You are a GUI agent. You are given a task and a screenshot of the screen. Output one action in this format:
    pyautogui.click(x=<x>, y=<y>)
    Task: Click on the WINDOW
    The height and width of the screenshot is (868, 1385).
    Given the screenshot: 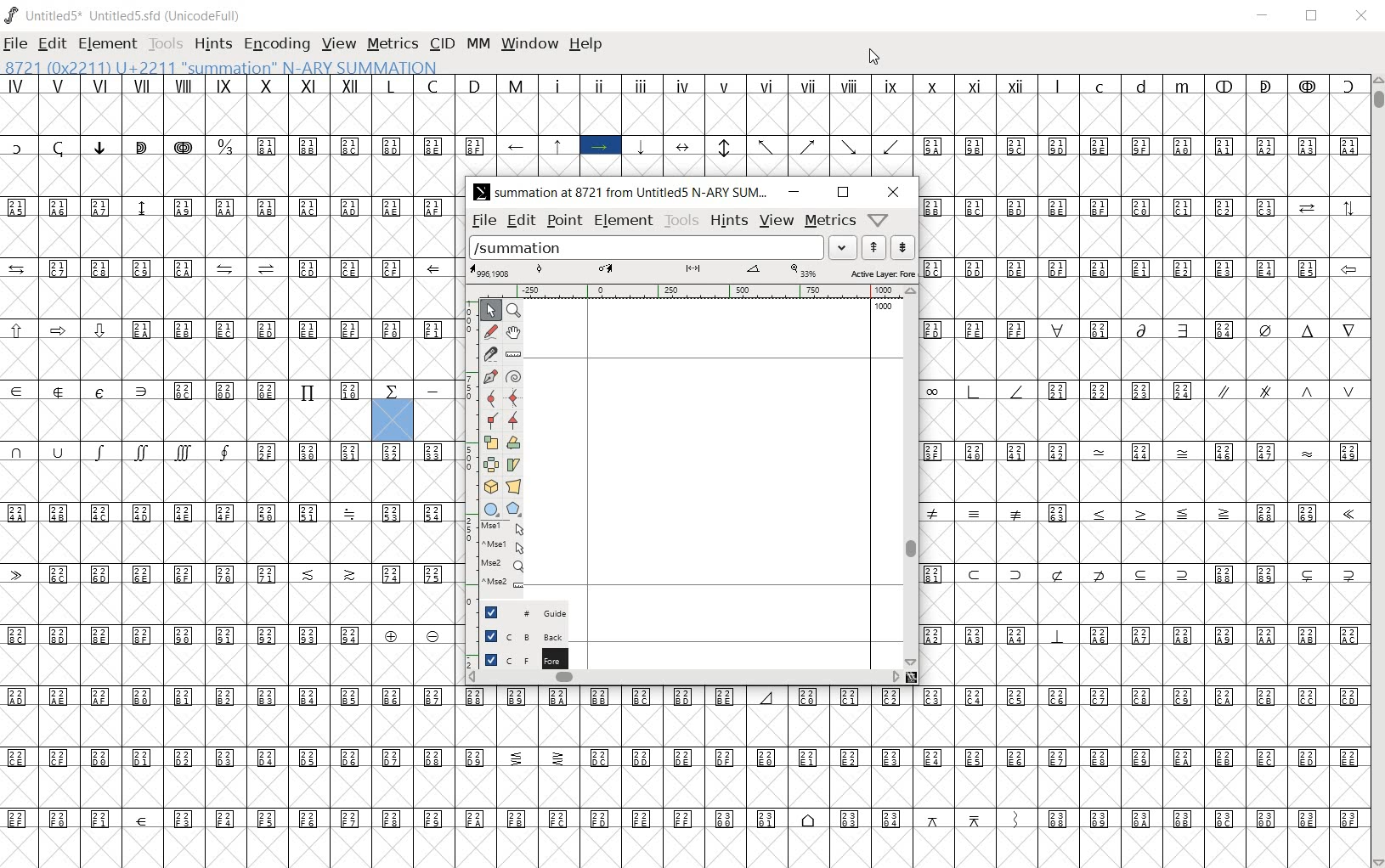 What is the action you would take?
    pyautogui.click(x=529, y=44)
    